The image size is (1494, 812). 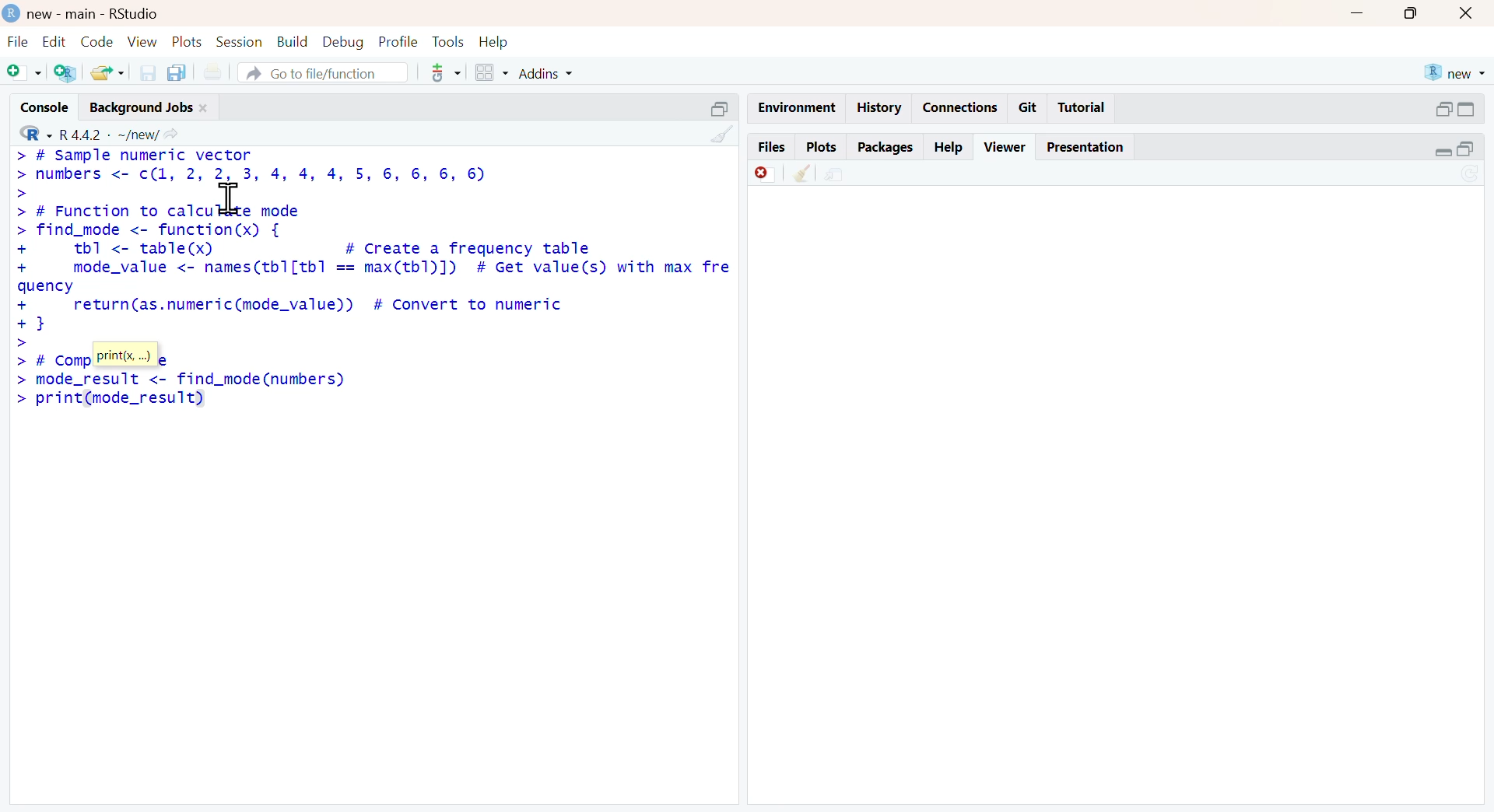 What do you see at coordinates (13, 12) in the screenshot?
I see `logo` at bounding box center [13, 12].